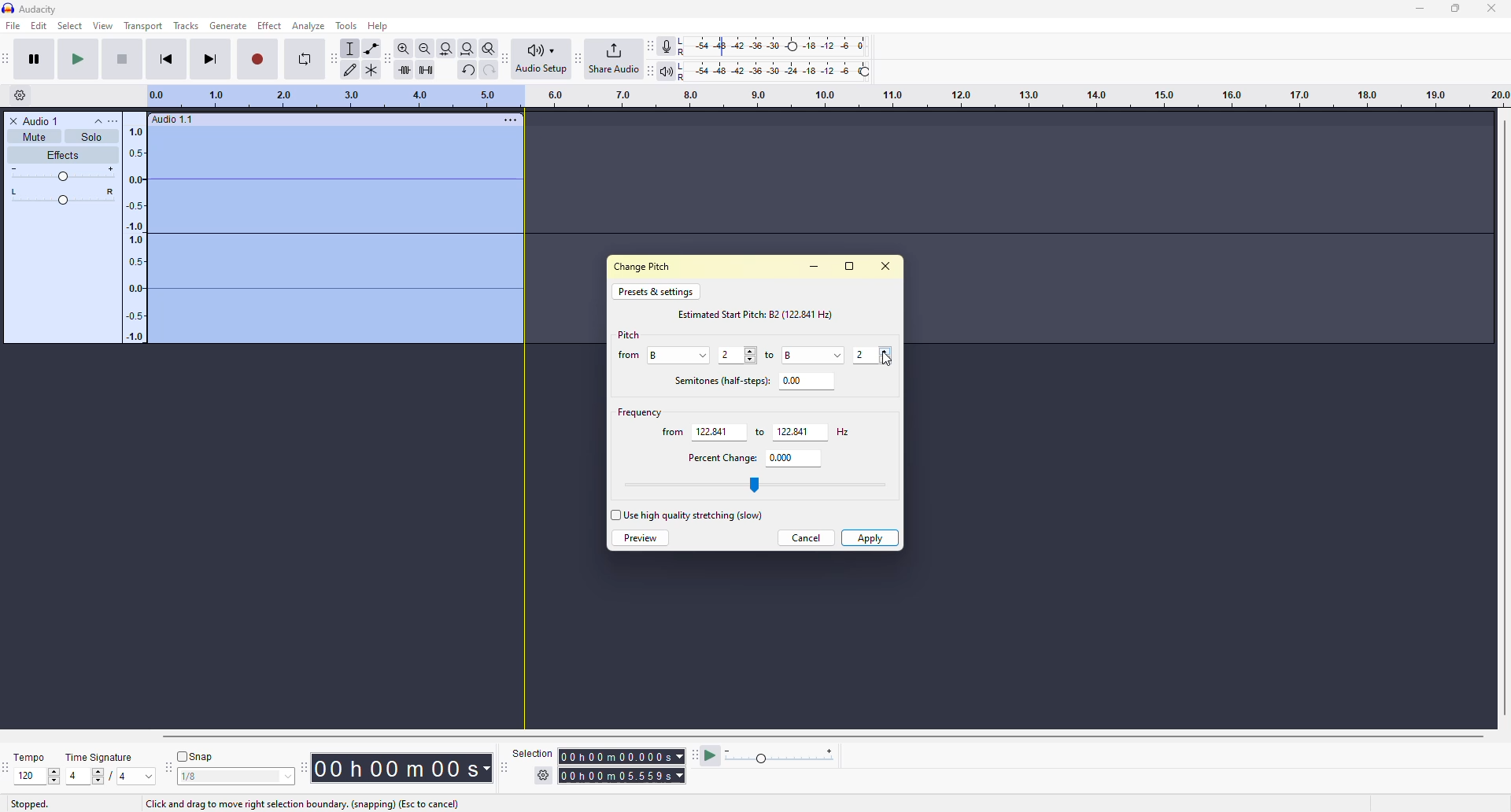  Describe the element at coordinates (123, 778) in the screenshot. I see `4` at that location.